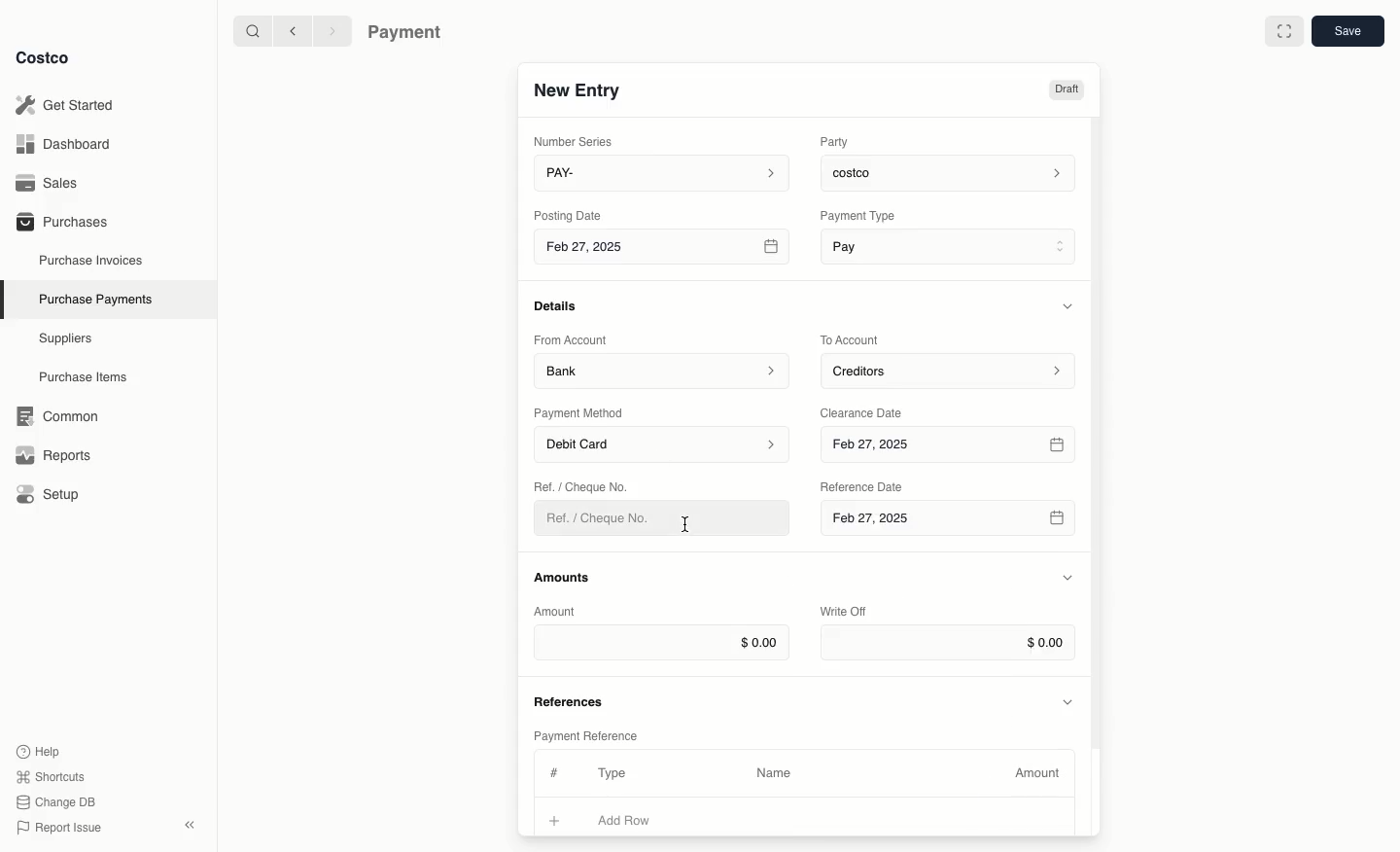  What do you see at coordinates (1347, 30) in the screenshot?
I see `Save` at bounding box center [1347, 30].